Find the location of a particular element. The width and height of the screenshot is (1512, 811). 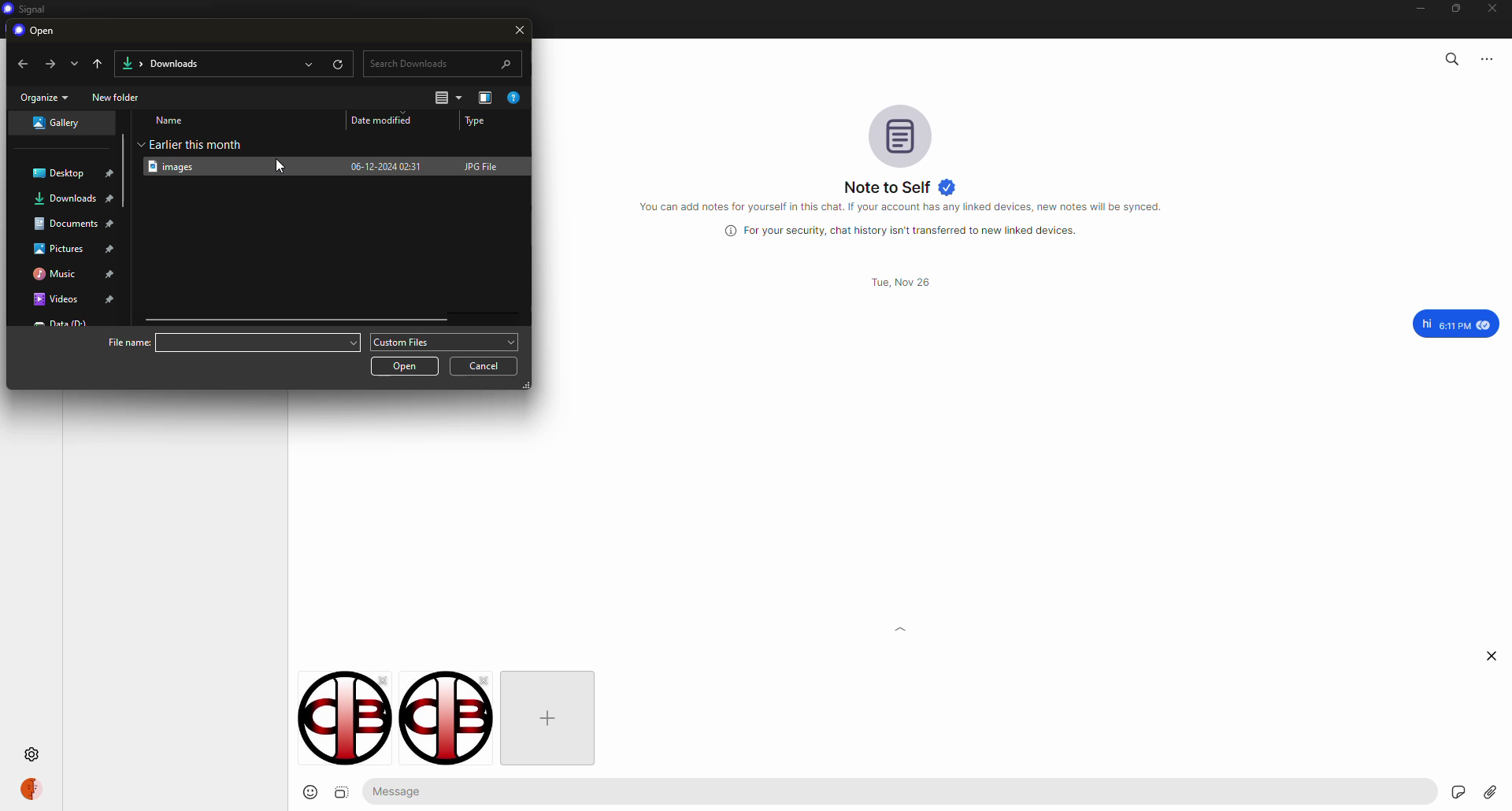

drop down is located at coordinates (512, 341).